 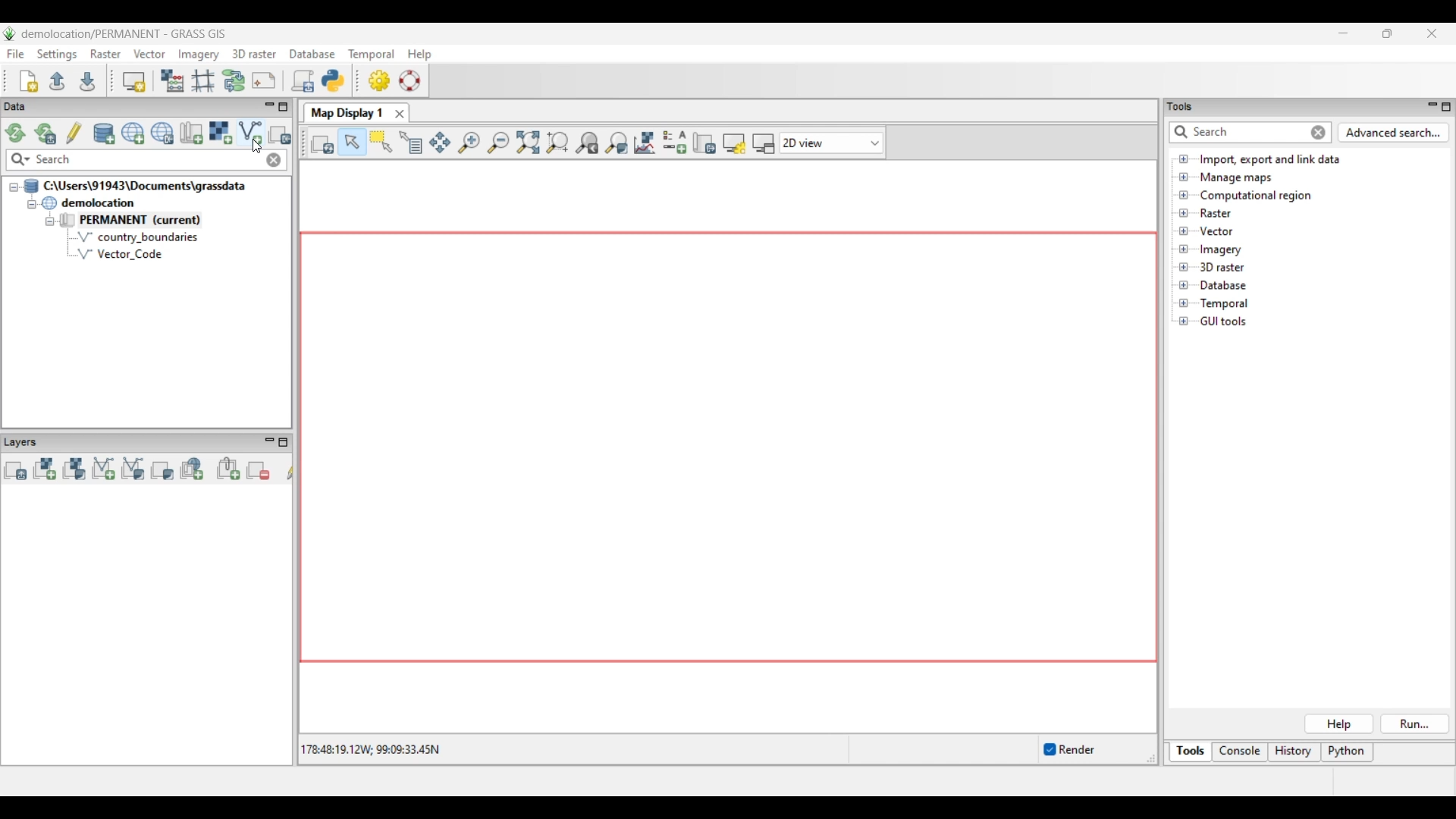 I want to click on Return to previous zoom, so click(x=585, y=143).